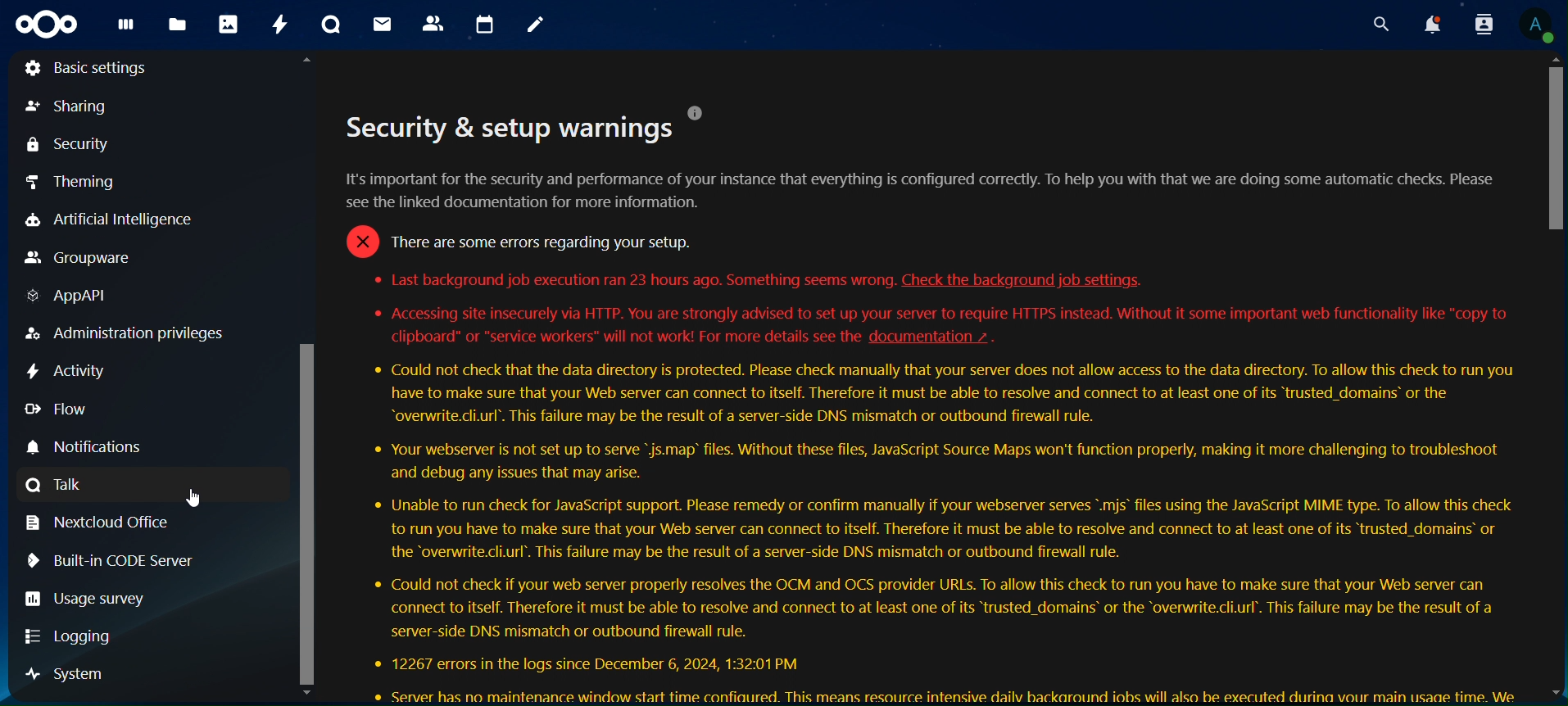  What do you see at coordinates (48, 25) in the screenshot?
I see `icon` at bounding box center [48, 25].